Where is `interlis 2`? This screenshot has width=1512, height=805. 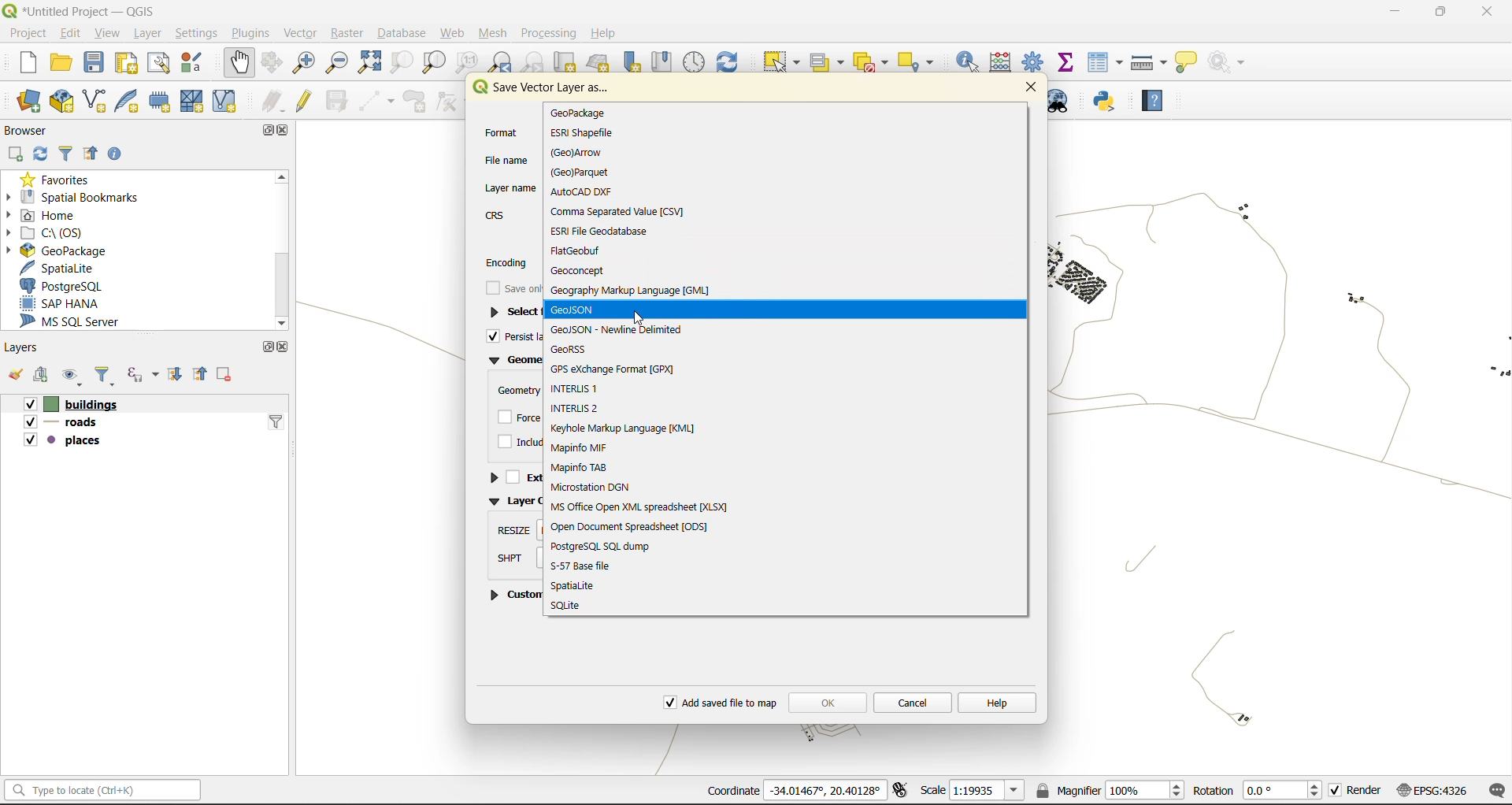 interlis 2 is located at coordinates (579, 408).